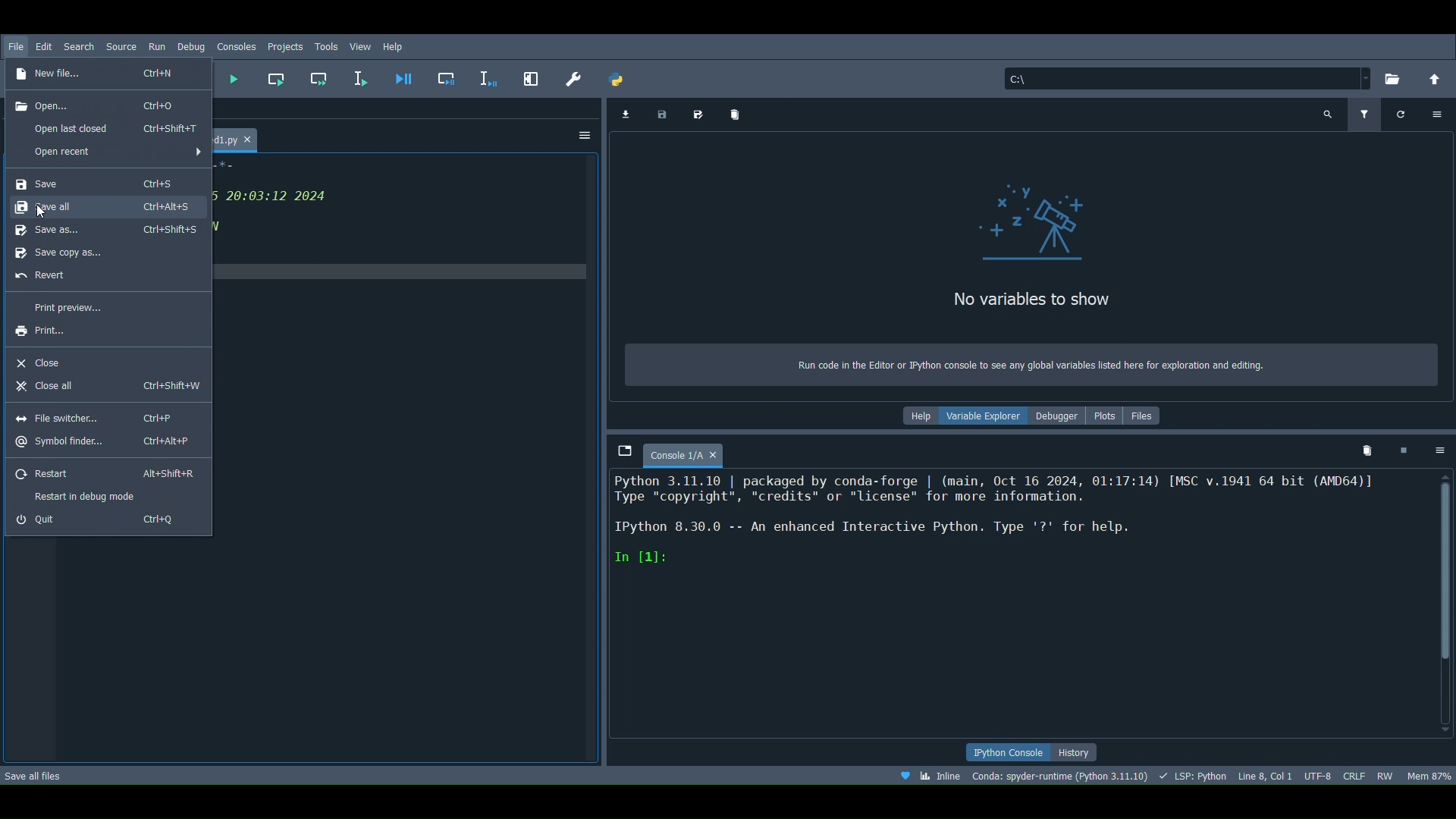 This screenshot has height=819, width=1456. Describe the element at coordinates (1194, 775) in the screenshot. I see `Completions, linting, code folding and symbols status.` at that location.